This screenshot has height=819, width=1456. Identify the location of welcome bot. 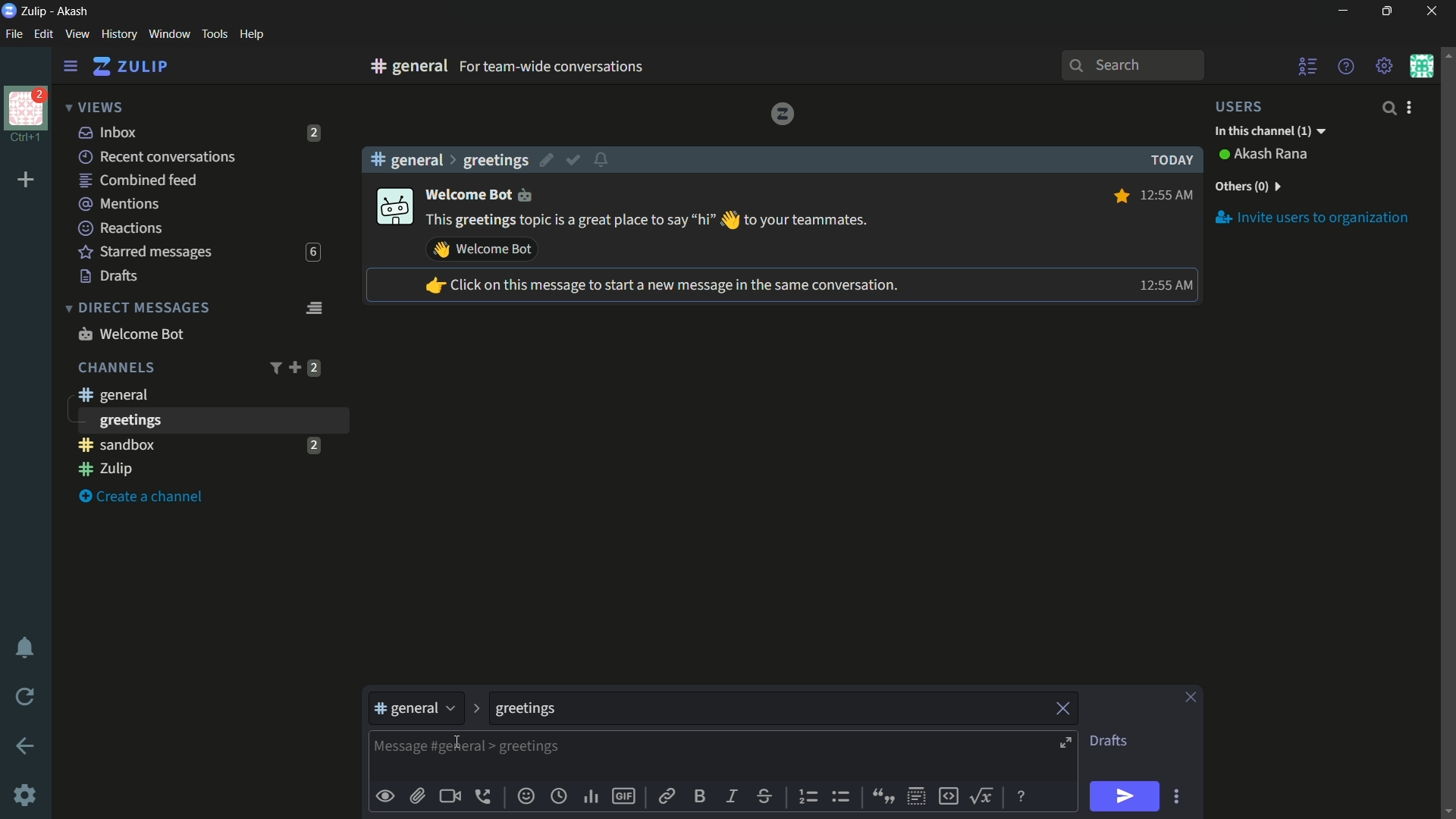
(130, 334).